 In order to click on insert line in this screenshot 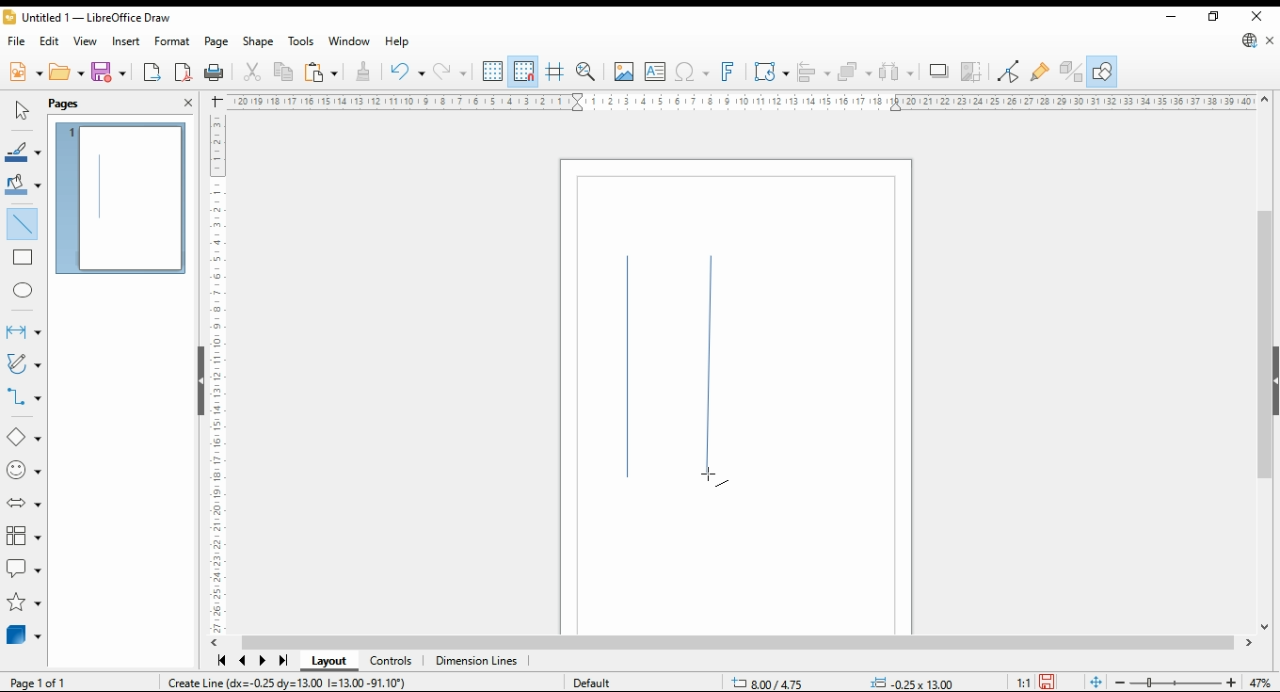, I will do `click(26, 227)`.